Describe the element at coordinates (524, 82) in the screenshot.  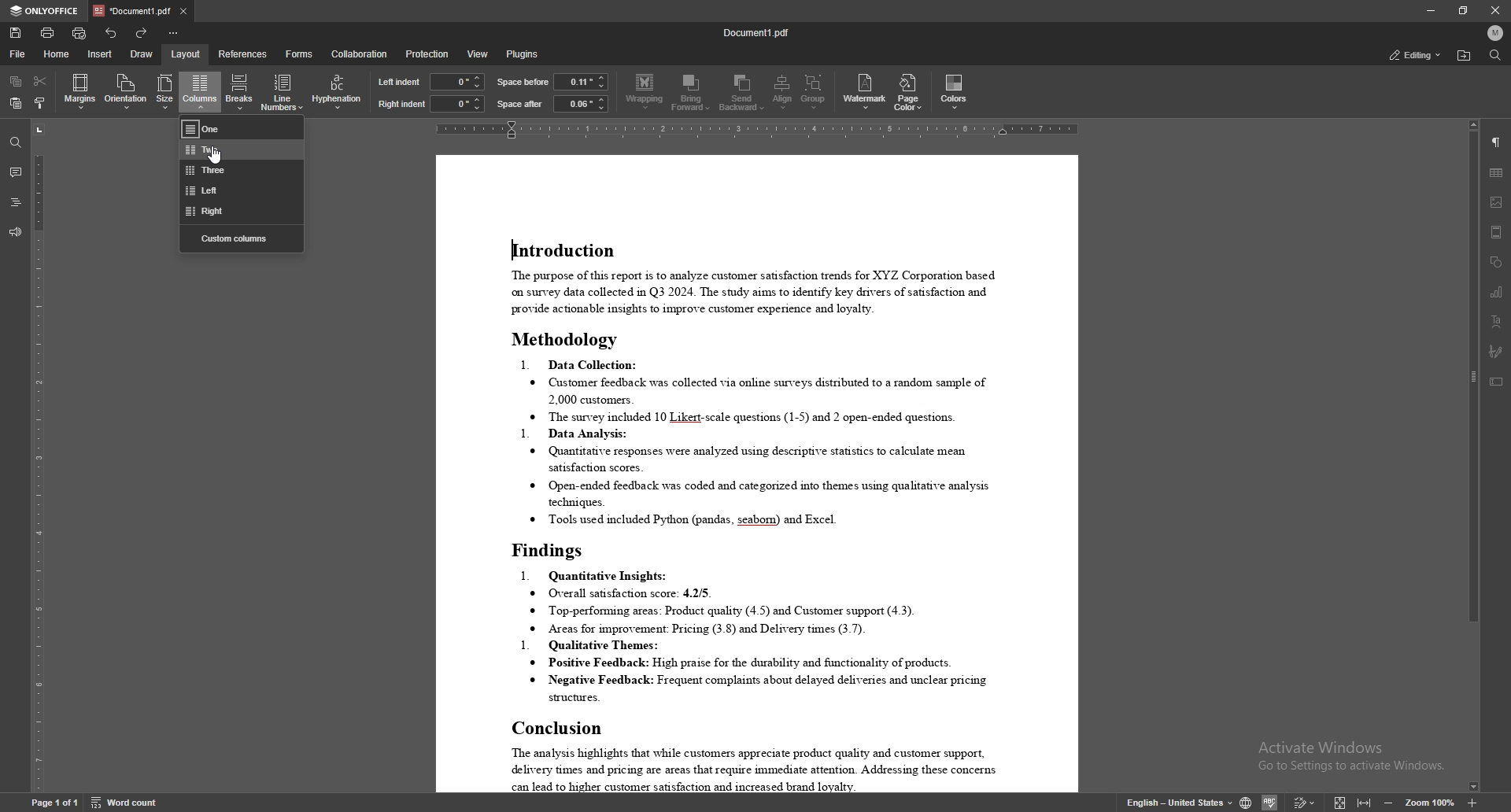
I see `space before` at that location.